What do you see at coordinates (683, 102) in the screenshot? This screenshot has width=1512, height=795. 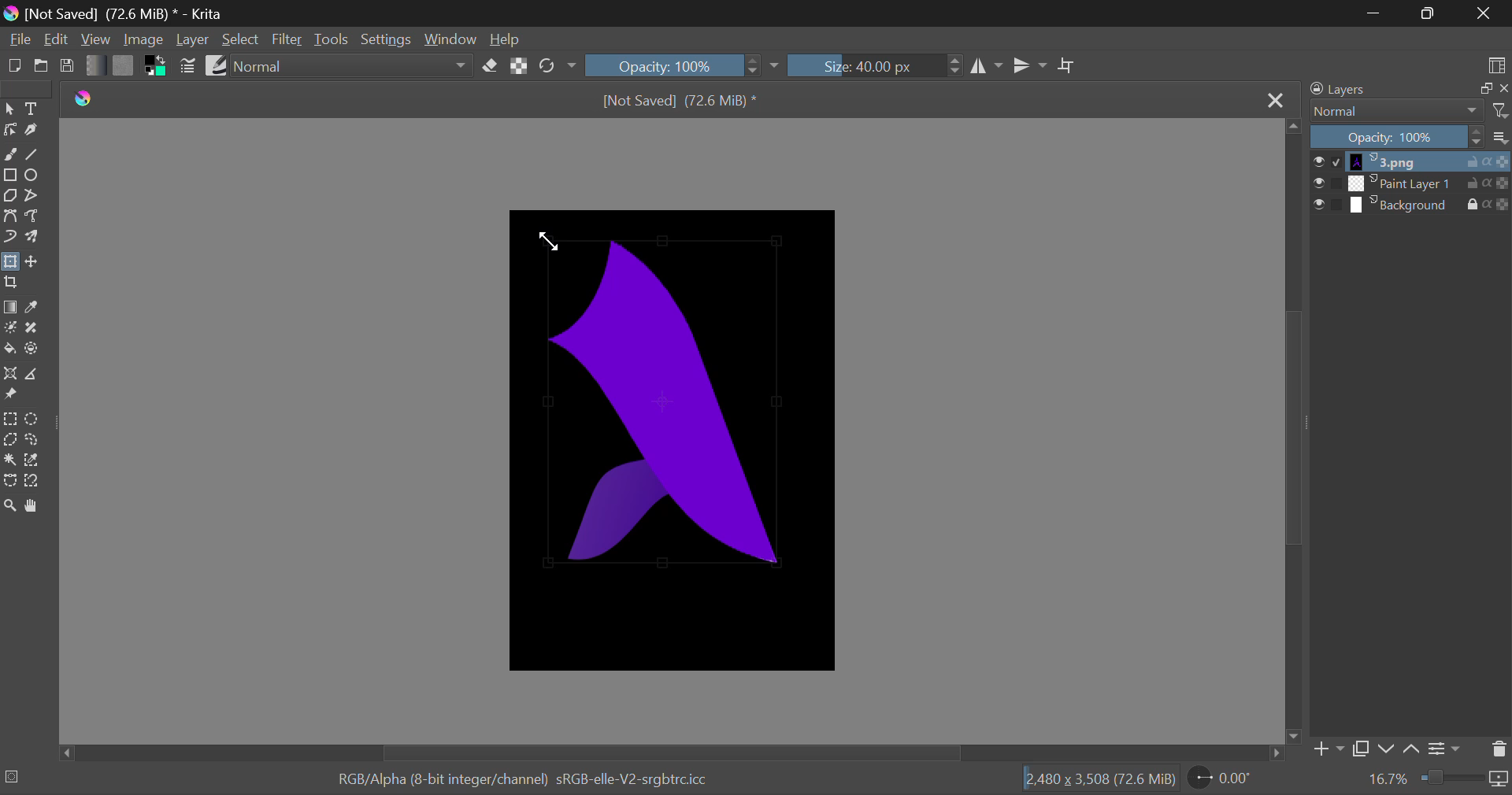 I see `[Not Saved] (71.4 MiB) *` at bounding box center [683, 102].